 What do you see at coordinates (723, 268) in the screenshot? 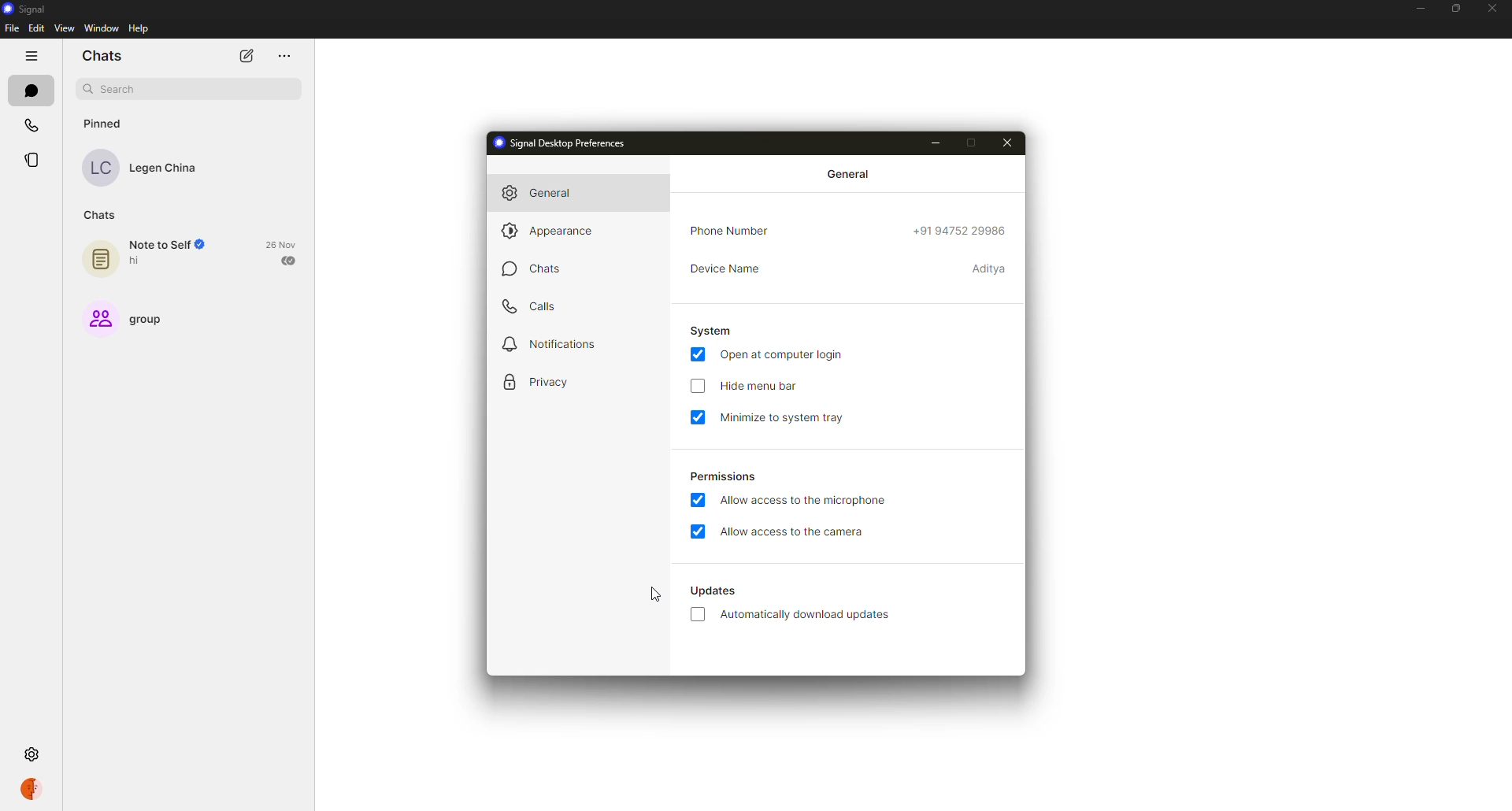
I see `device name` at bounding box center [723, 268].